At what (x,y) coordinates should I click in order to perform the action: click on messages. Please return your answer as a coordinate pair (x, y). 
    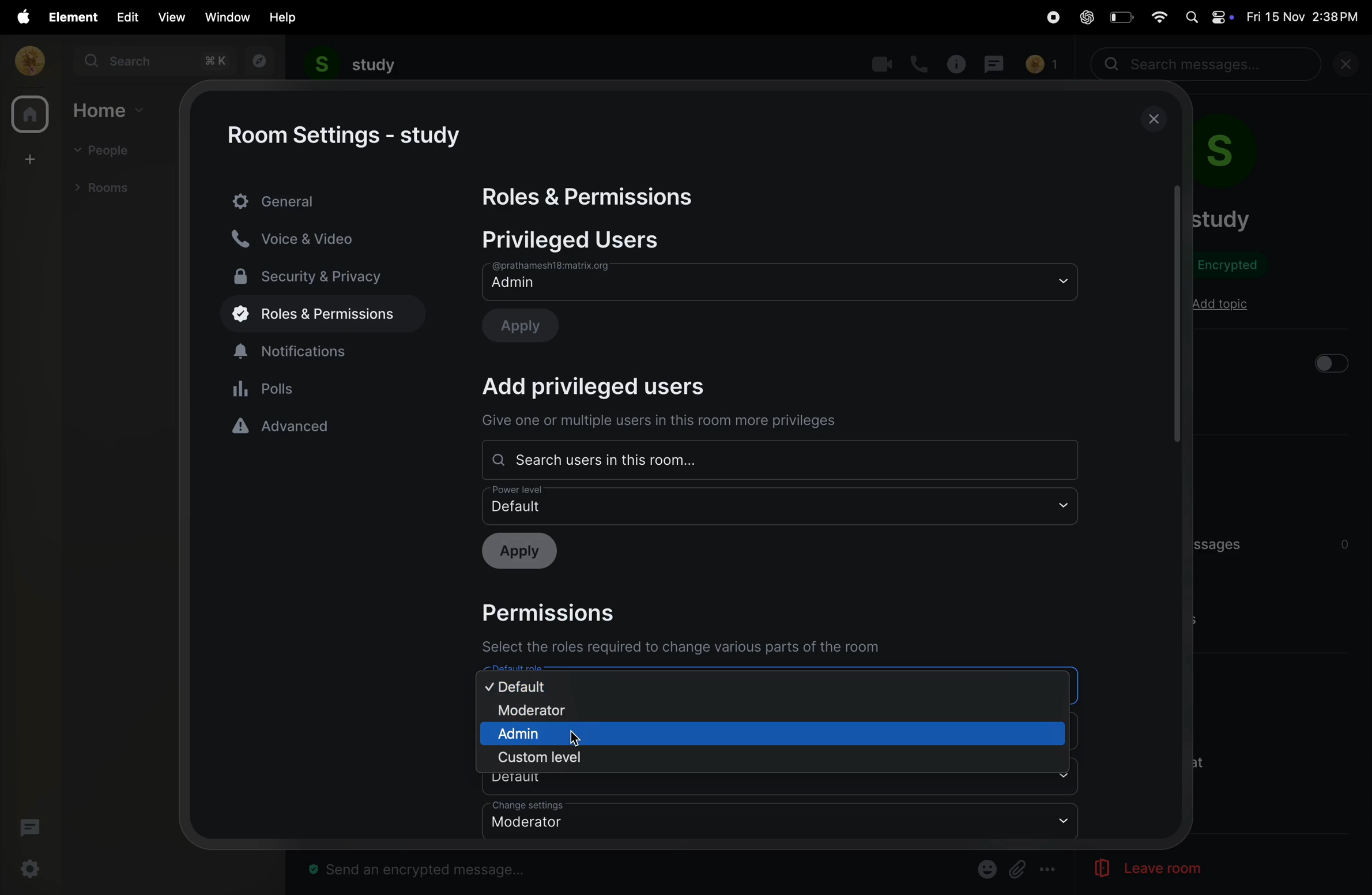
    Looking at the image, I should click on (997, 62).